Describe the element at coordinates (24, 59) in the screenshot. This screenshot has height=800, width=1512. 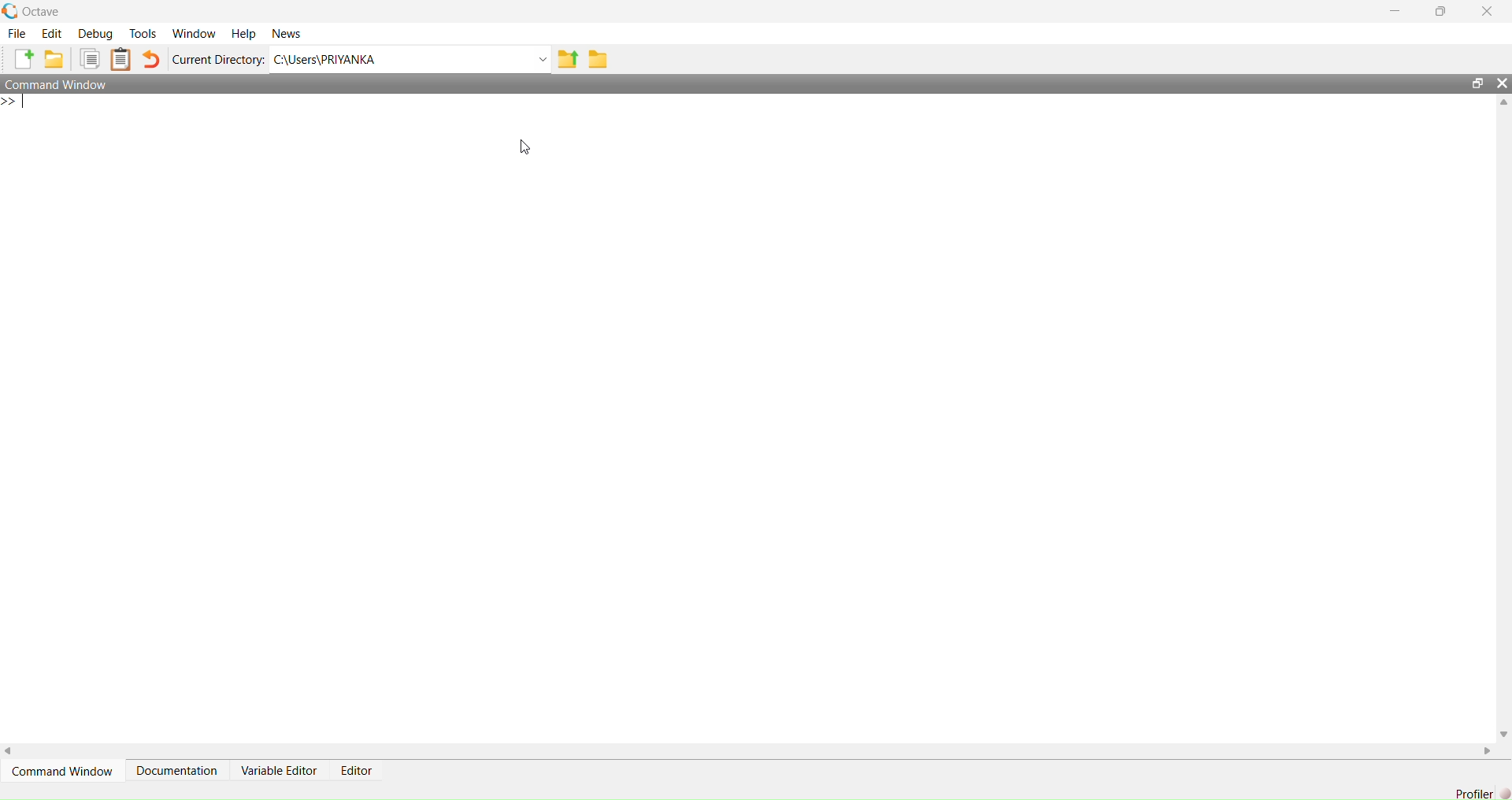
I see `New script` at that location.